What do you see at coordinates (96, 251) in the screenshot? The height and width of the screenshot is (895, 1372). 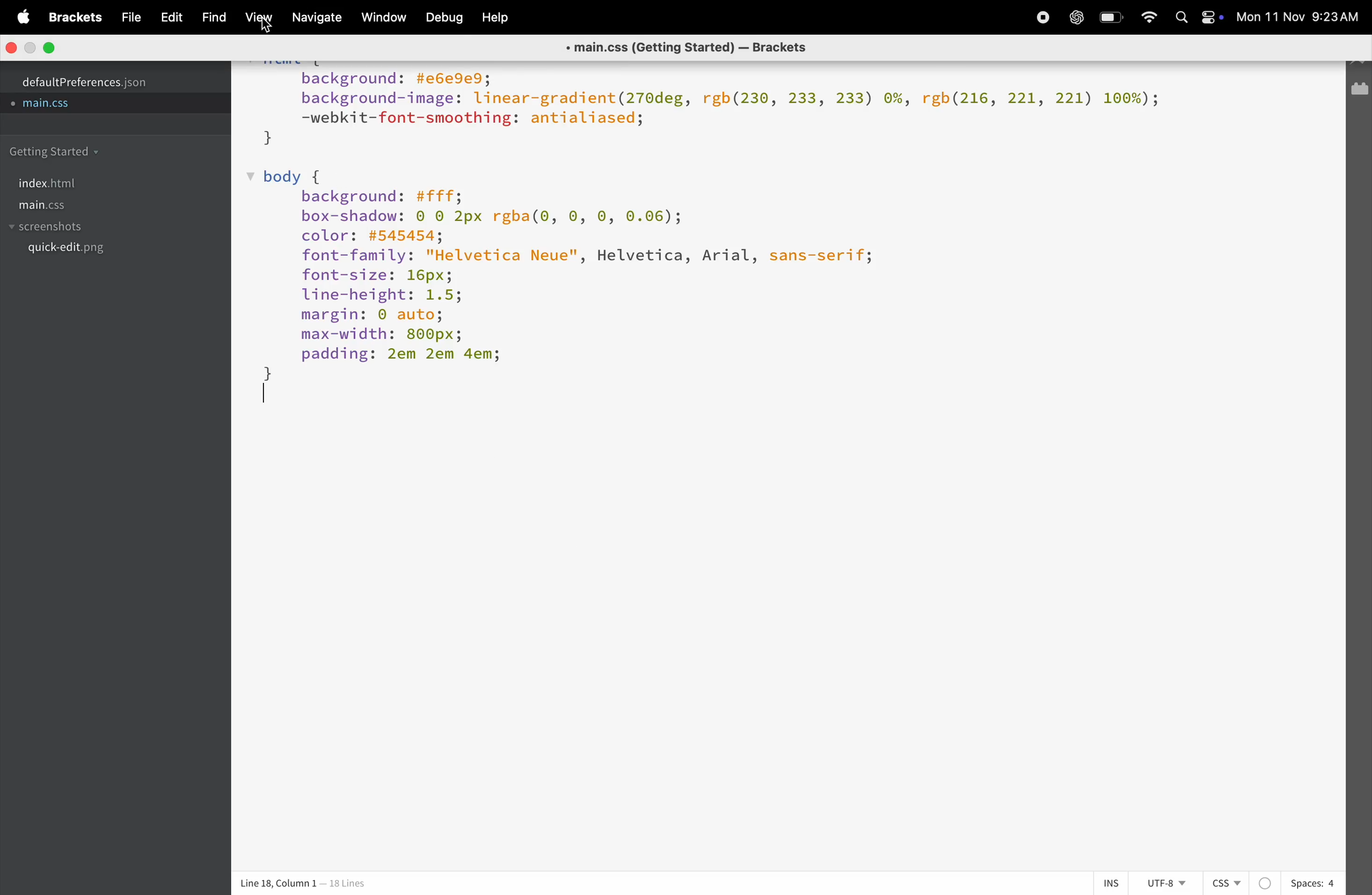 I see `quickedit.png` at bounding box center [96, 251].